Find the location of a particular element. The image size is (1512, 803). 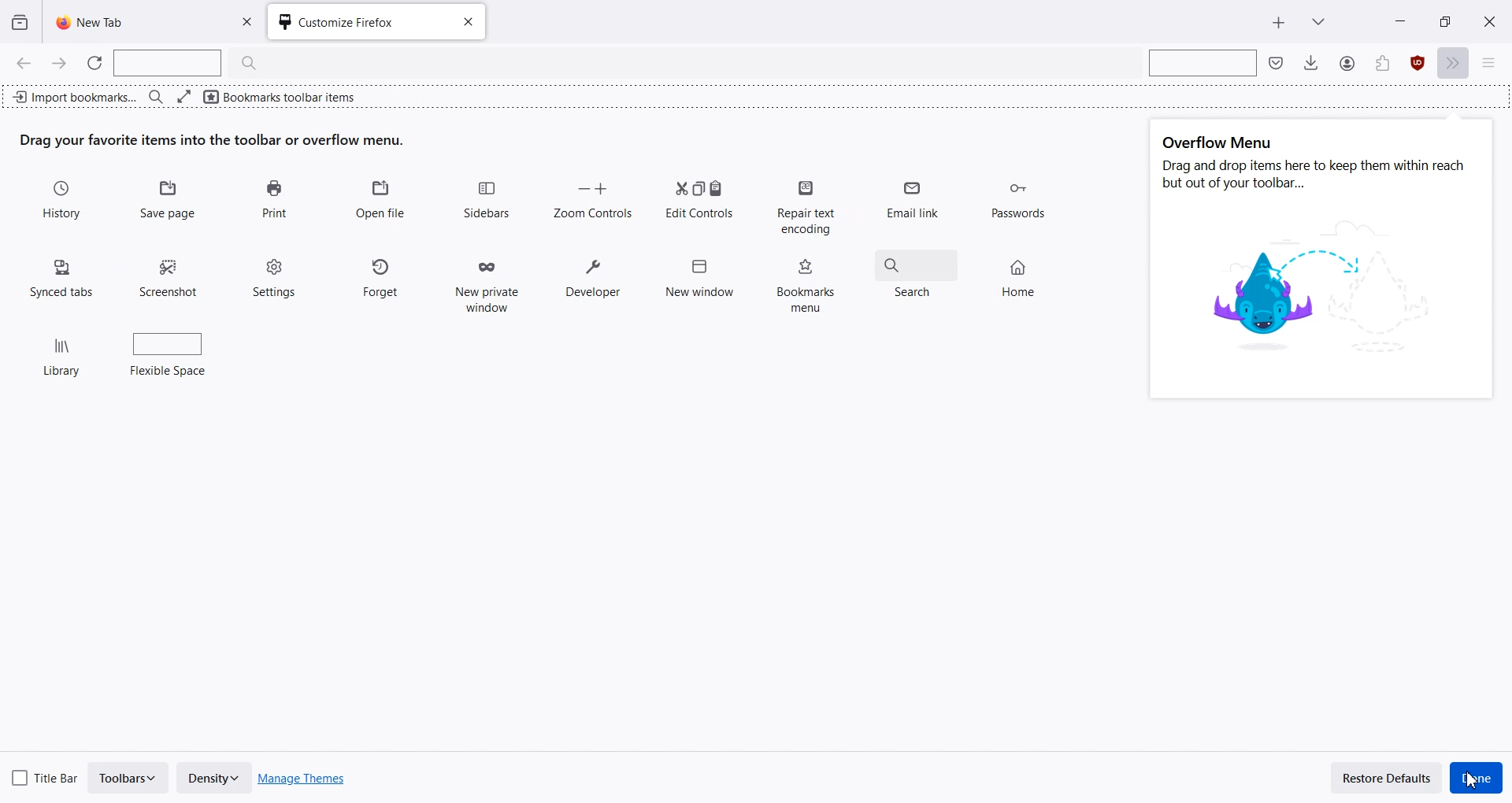

Save Page is located at coordinates (170, 201).